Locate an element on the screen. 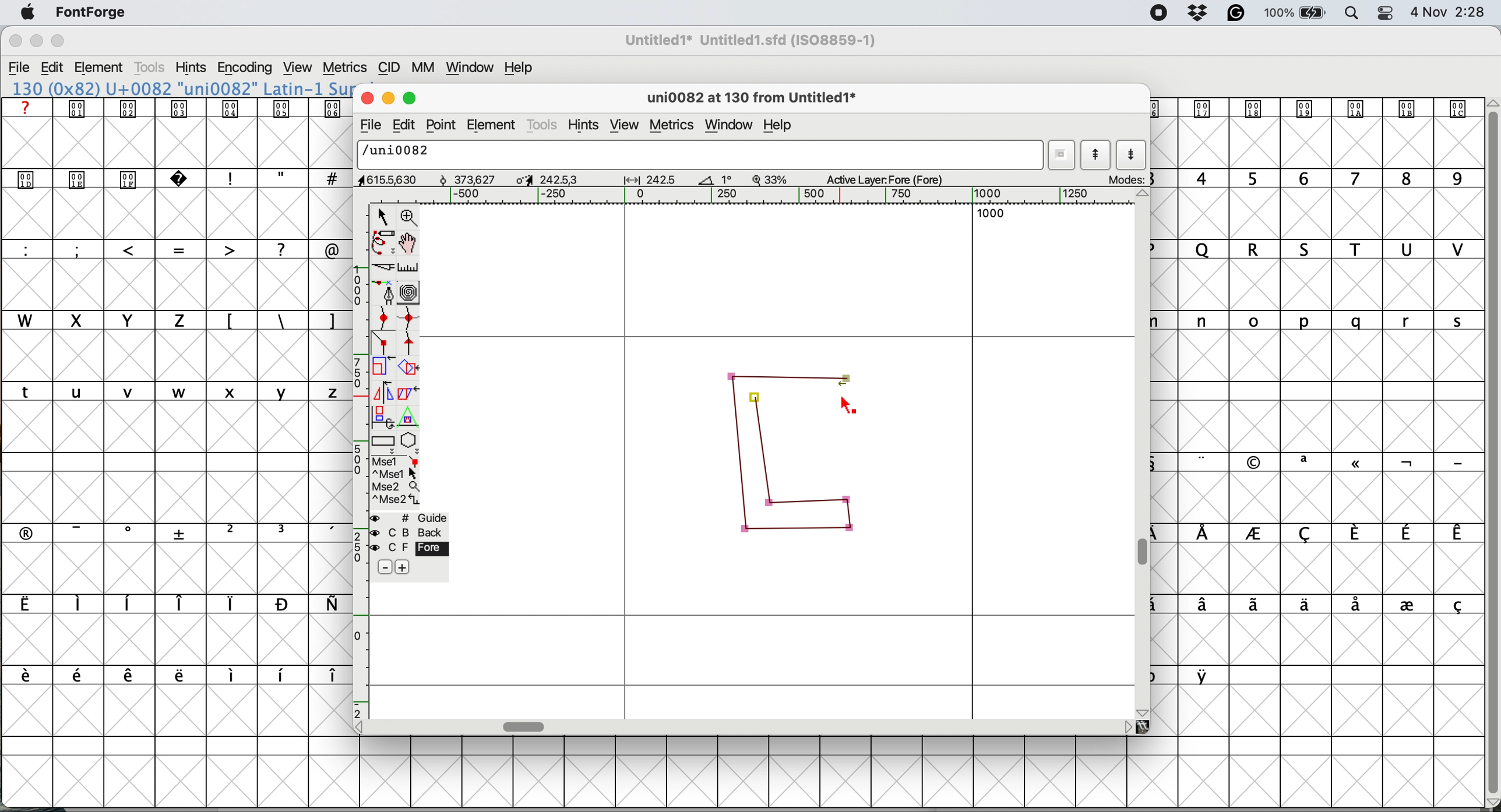 The width and height of the screenshot is (1501, 812). maximise is located at coordinates (59, 41).